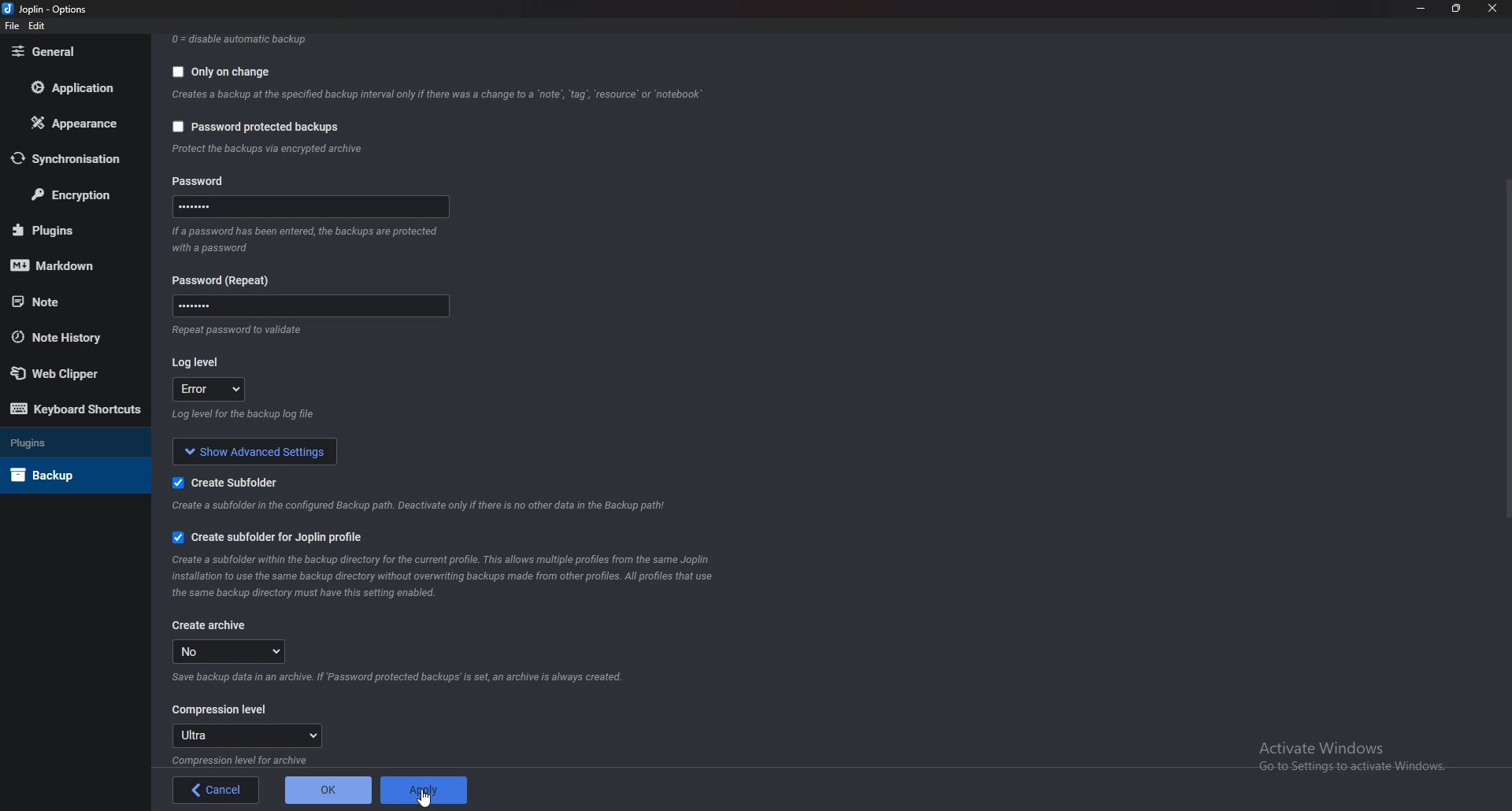 The width and height of the screenshot is (1512, 811). Describe the element at coordinates (1506, 353) in the screenshot. I see `scroll bar` at that location.